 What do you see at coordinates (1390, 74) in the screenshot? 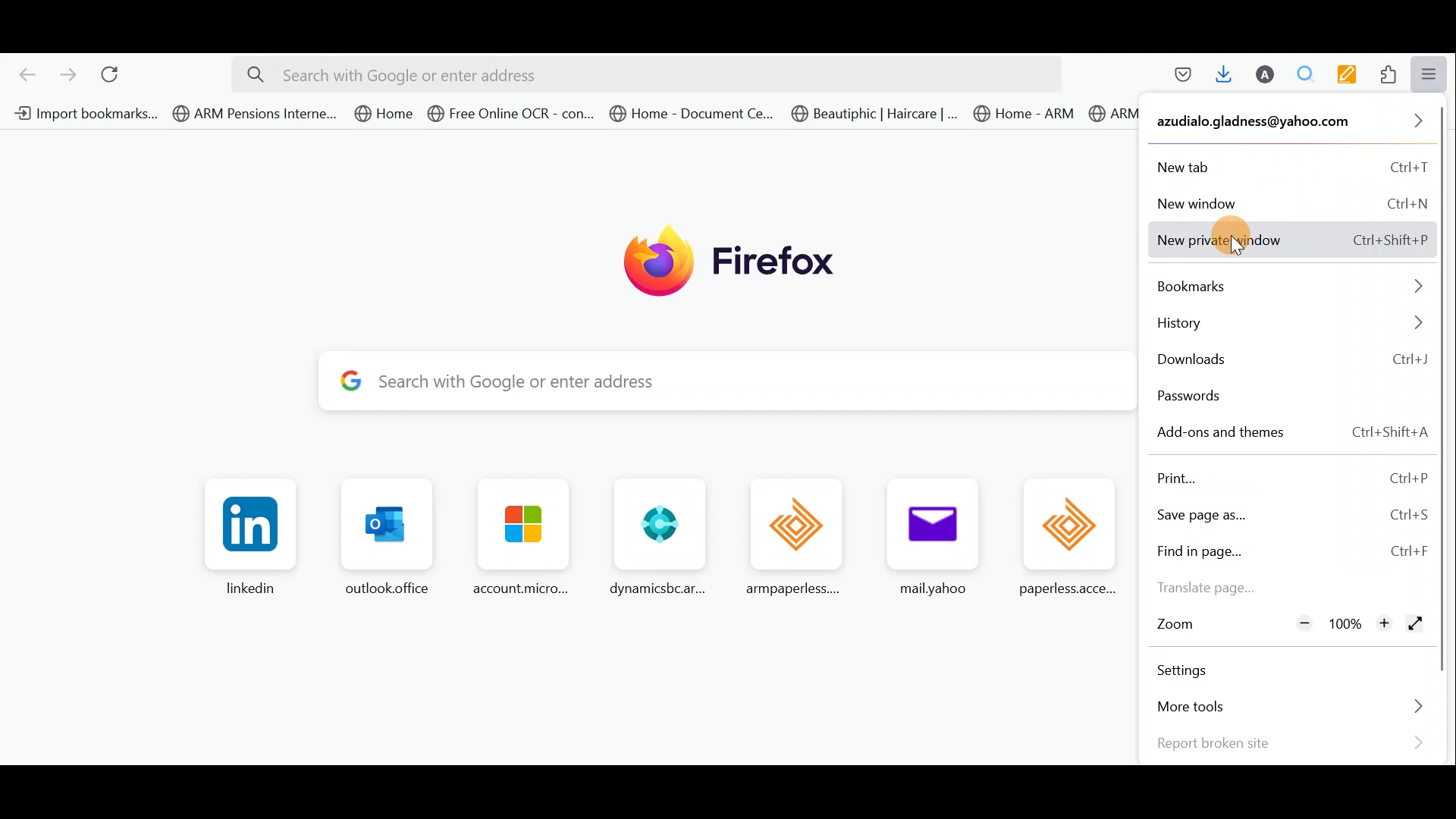
I see `Extensions` at bounding box center [1390, 74].